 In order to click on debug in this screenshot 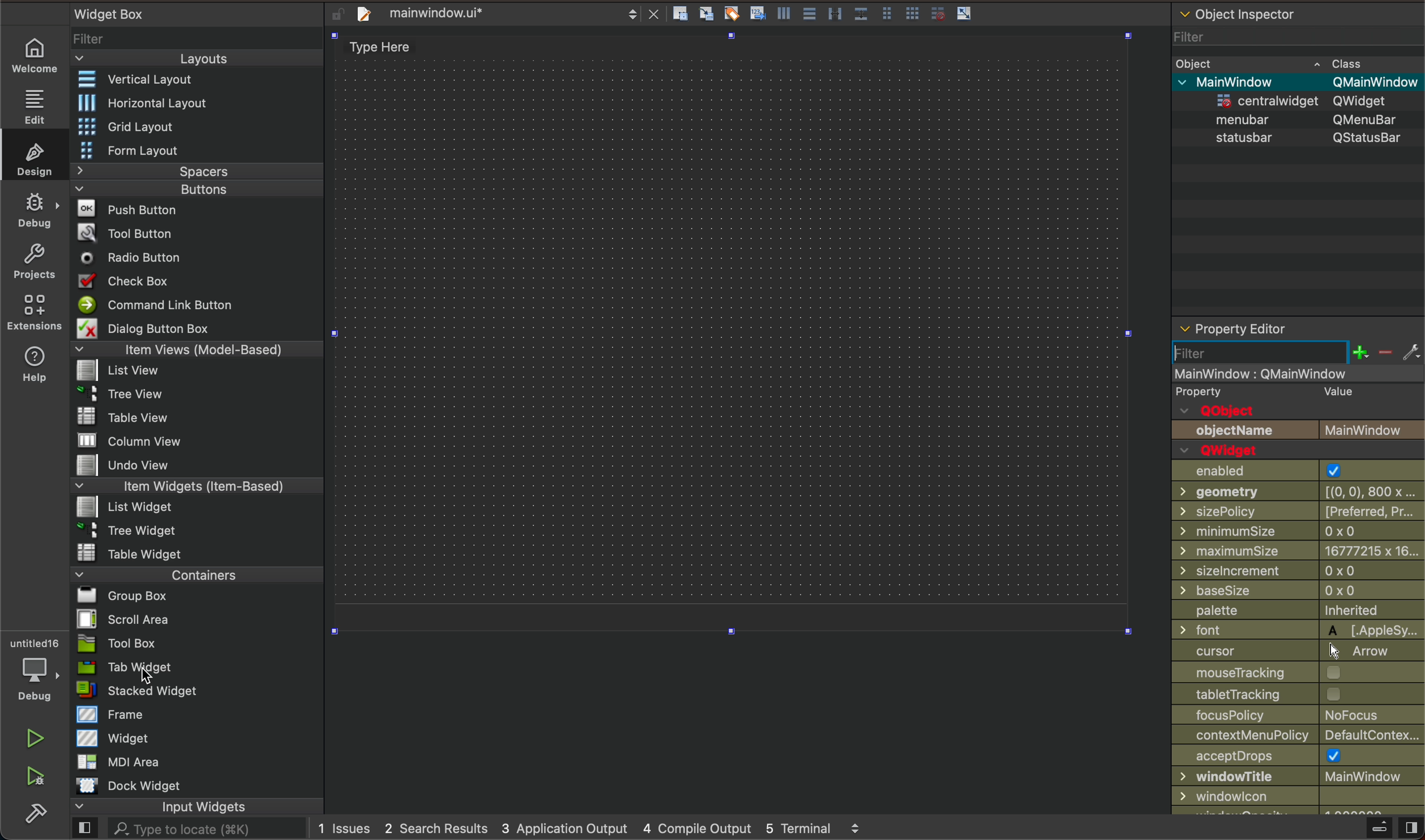, I will do `click(35, 209)`.